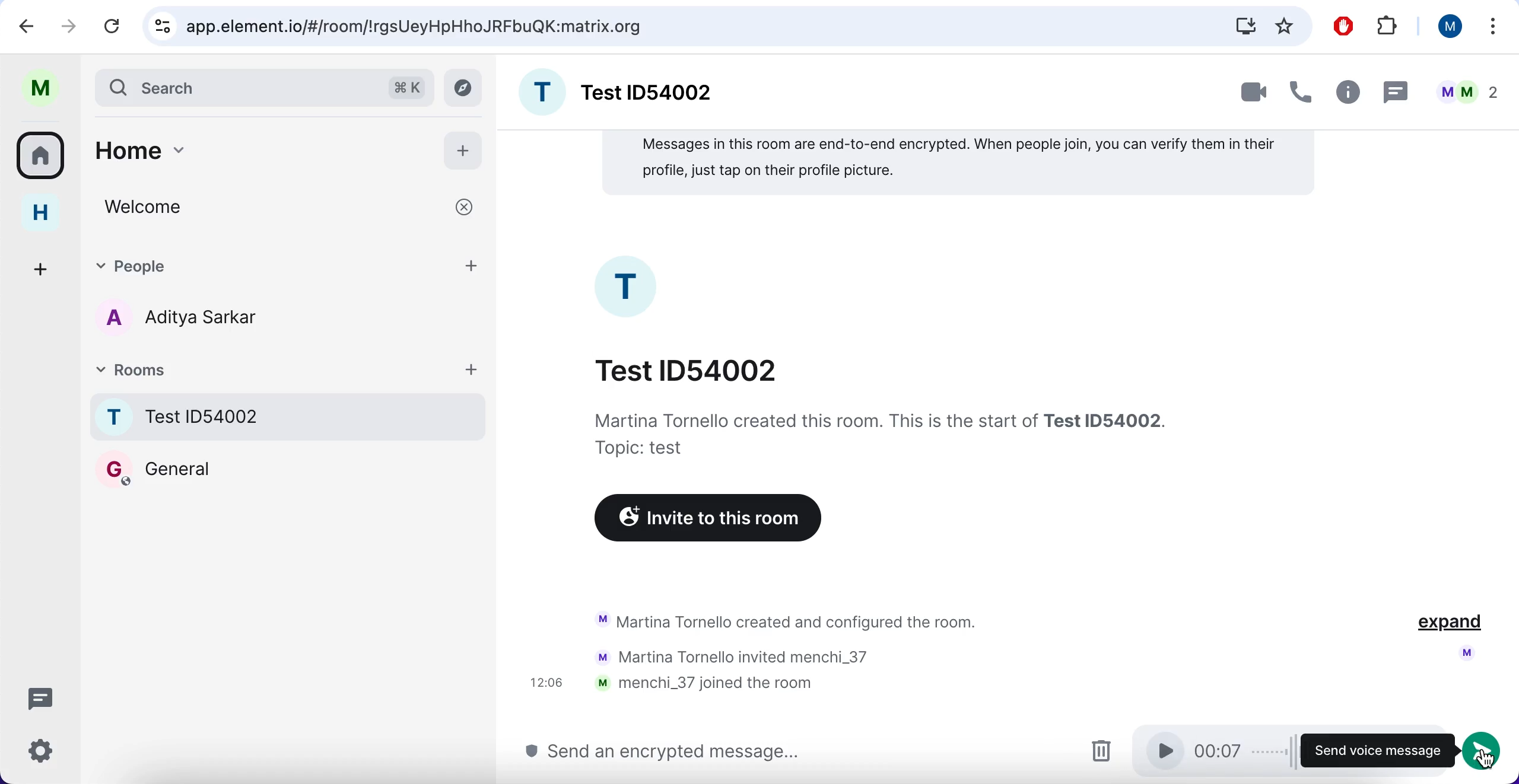 Image resolution: width=1519 pixels, height=784 pixels. I want to click on trash, so click(1100, 751).